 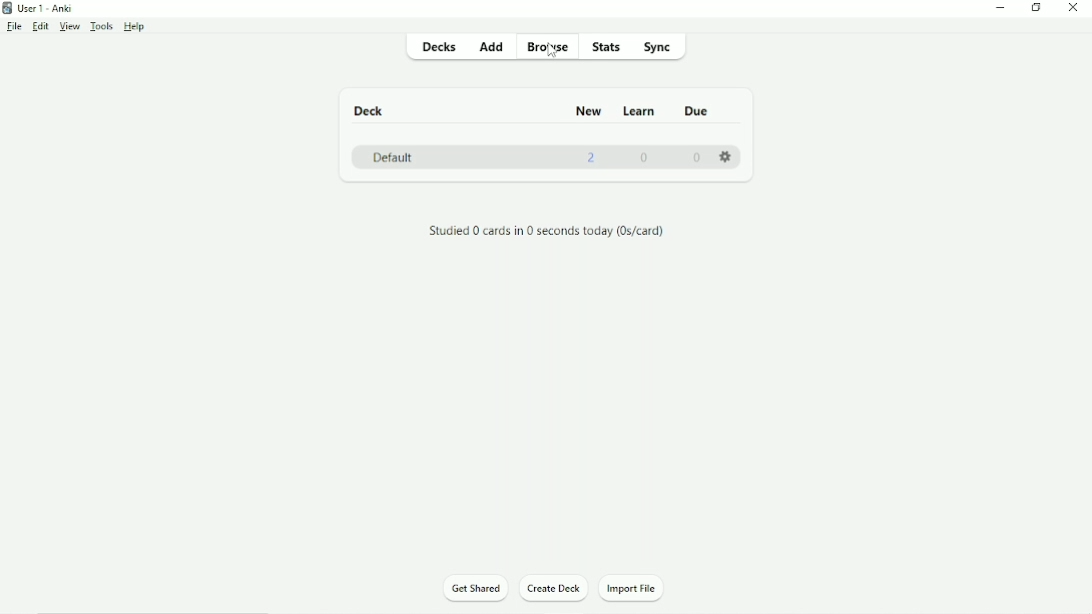 What do you see at coordinates (696, 160) in the screenshot?
I see `0` at bounding box center [696, 160].